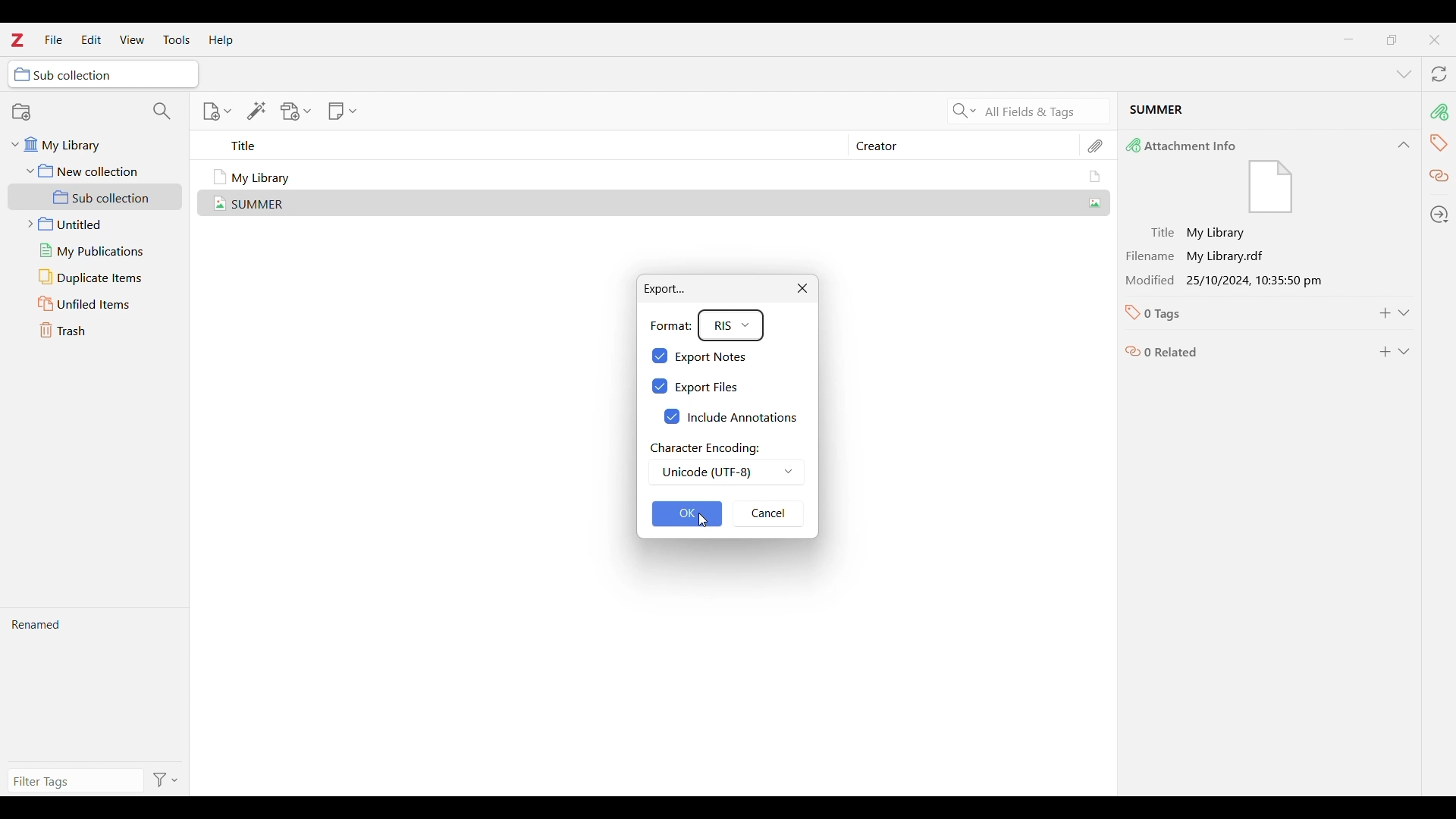 The width and height of the screenshot is (1456, 819). What do you see at coordinates (708, 447) in the screenshot?
I see `character encoding :` at bounding box center [708, 447].